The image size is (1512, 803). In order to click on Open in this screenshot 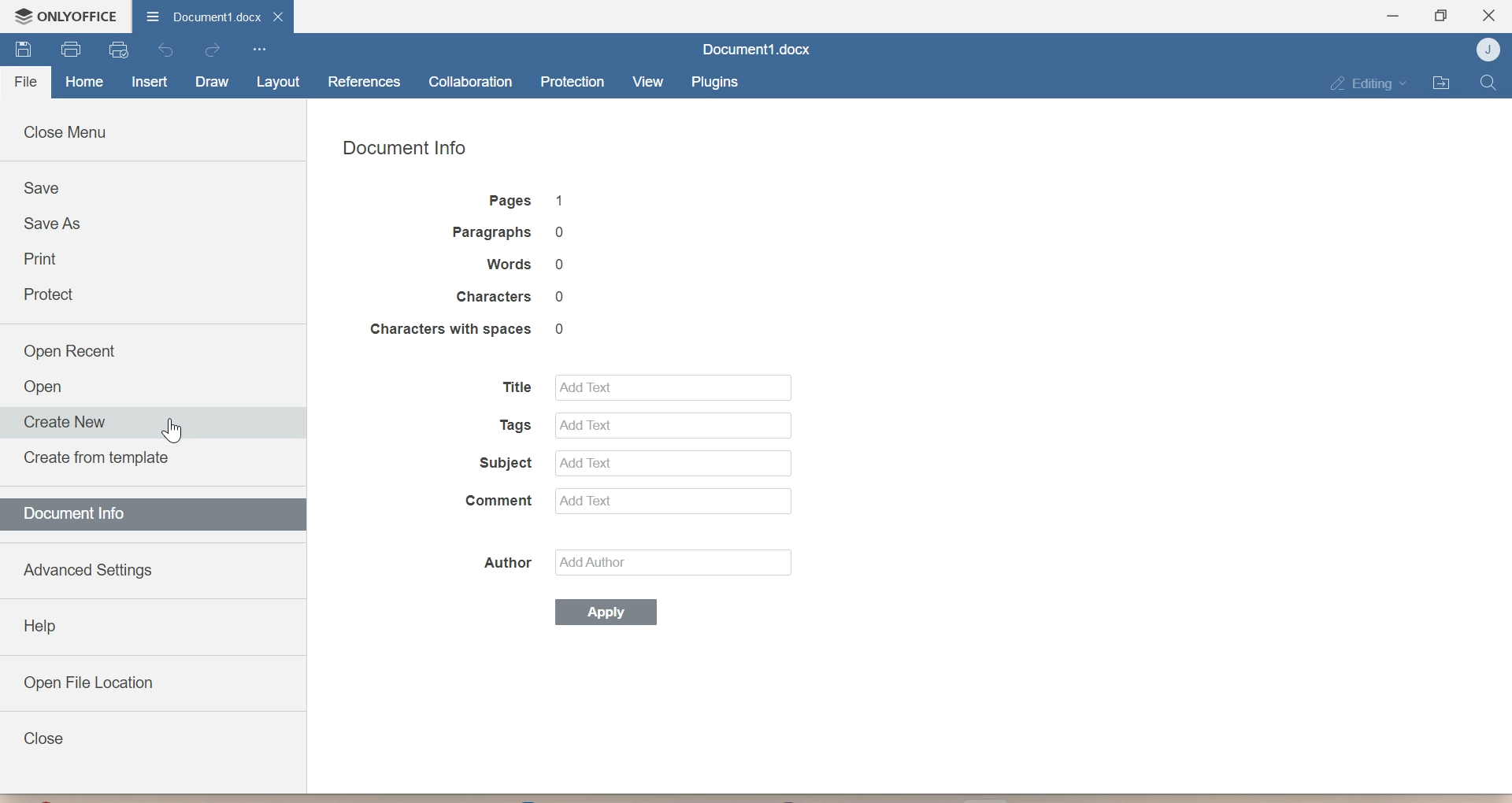, I will do `click(46, 388)`.